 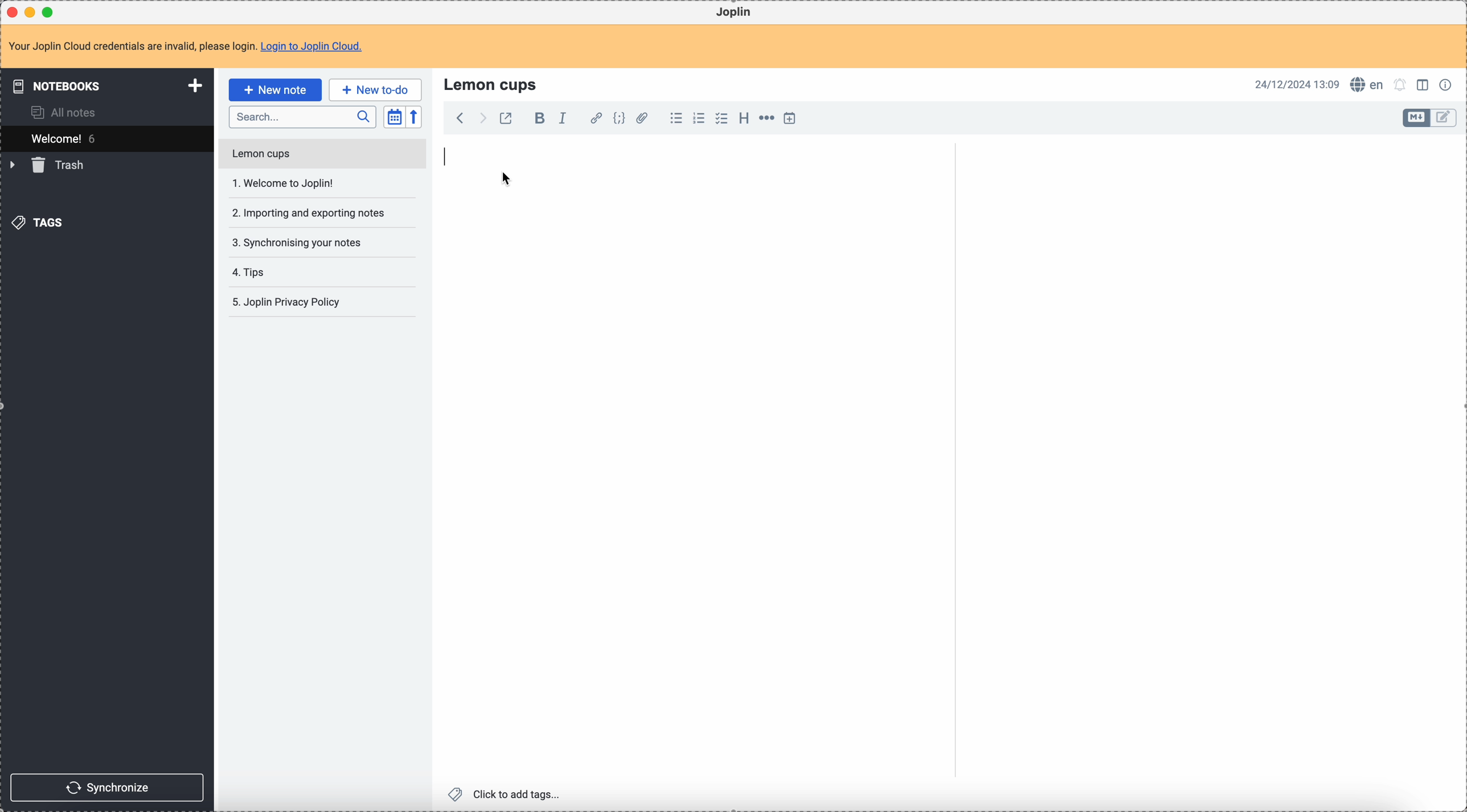 What do you see at coordinates (296, 241) in the screenshot?
I see `synchronising your notes` at bounding box center [296, 241].